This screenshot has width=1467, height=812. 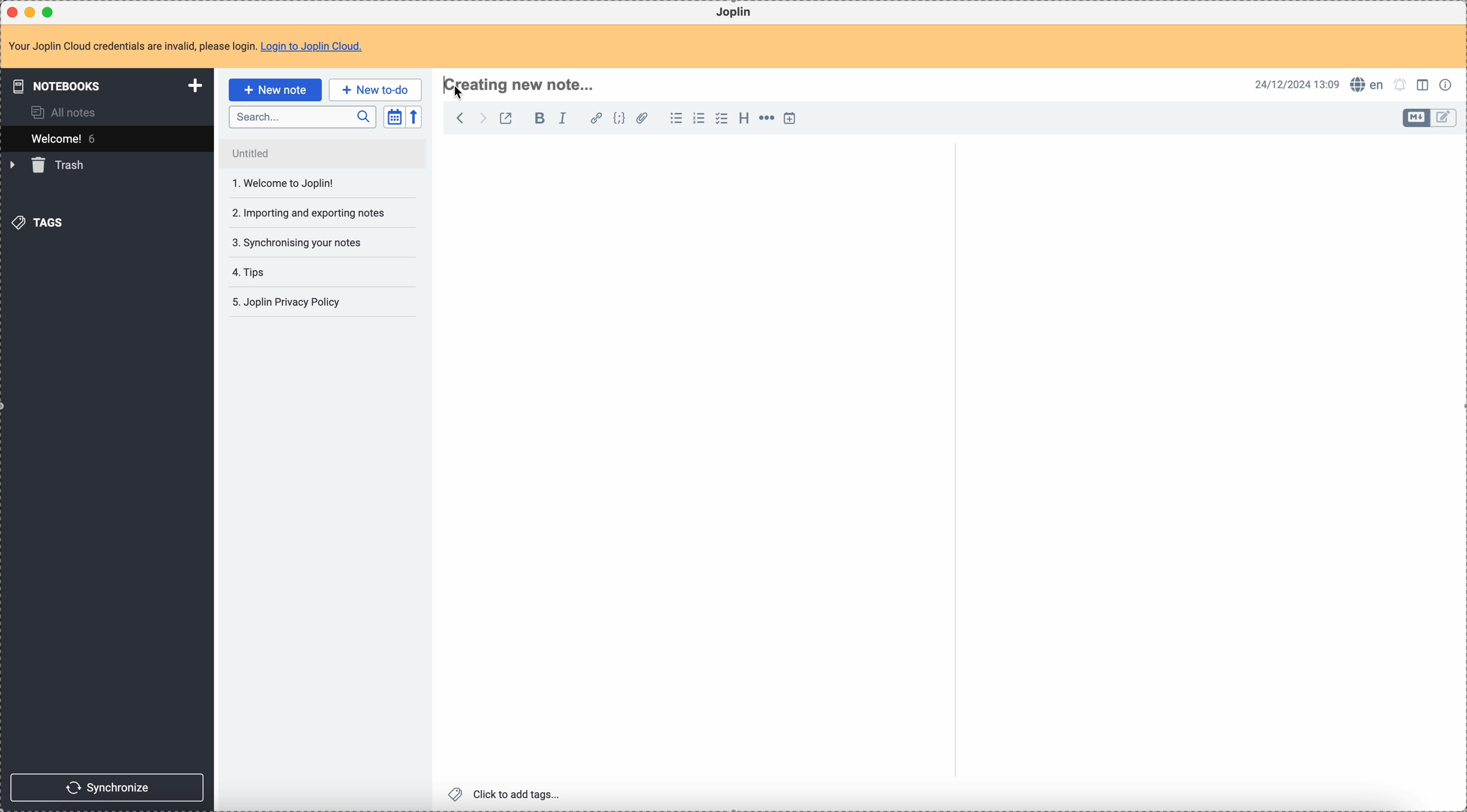 I want to click on new to-do, so click(x=375, y=89).